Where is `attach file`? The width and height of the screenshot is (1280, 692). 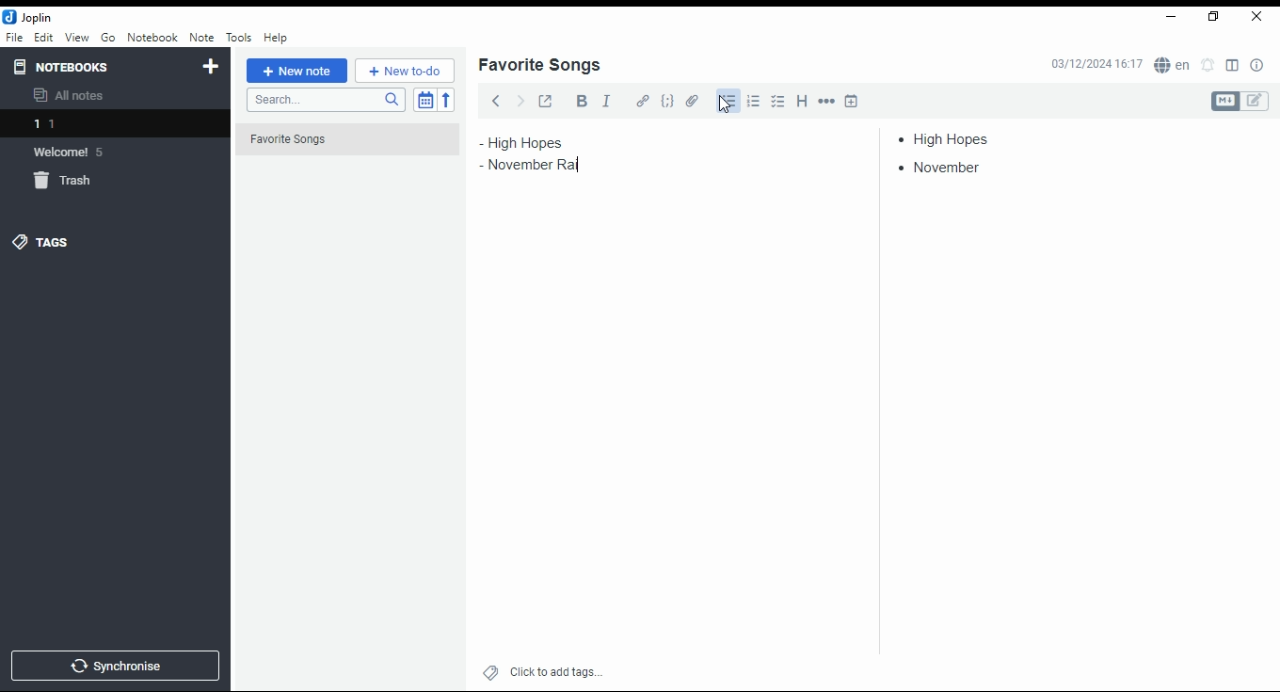 attach file is located at coordinates (693, 100).